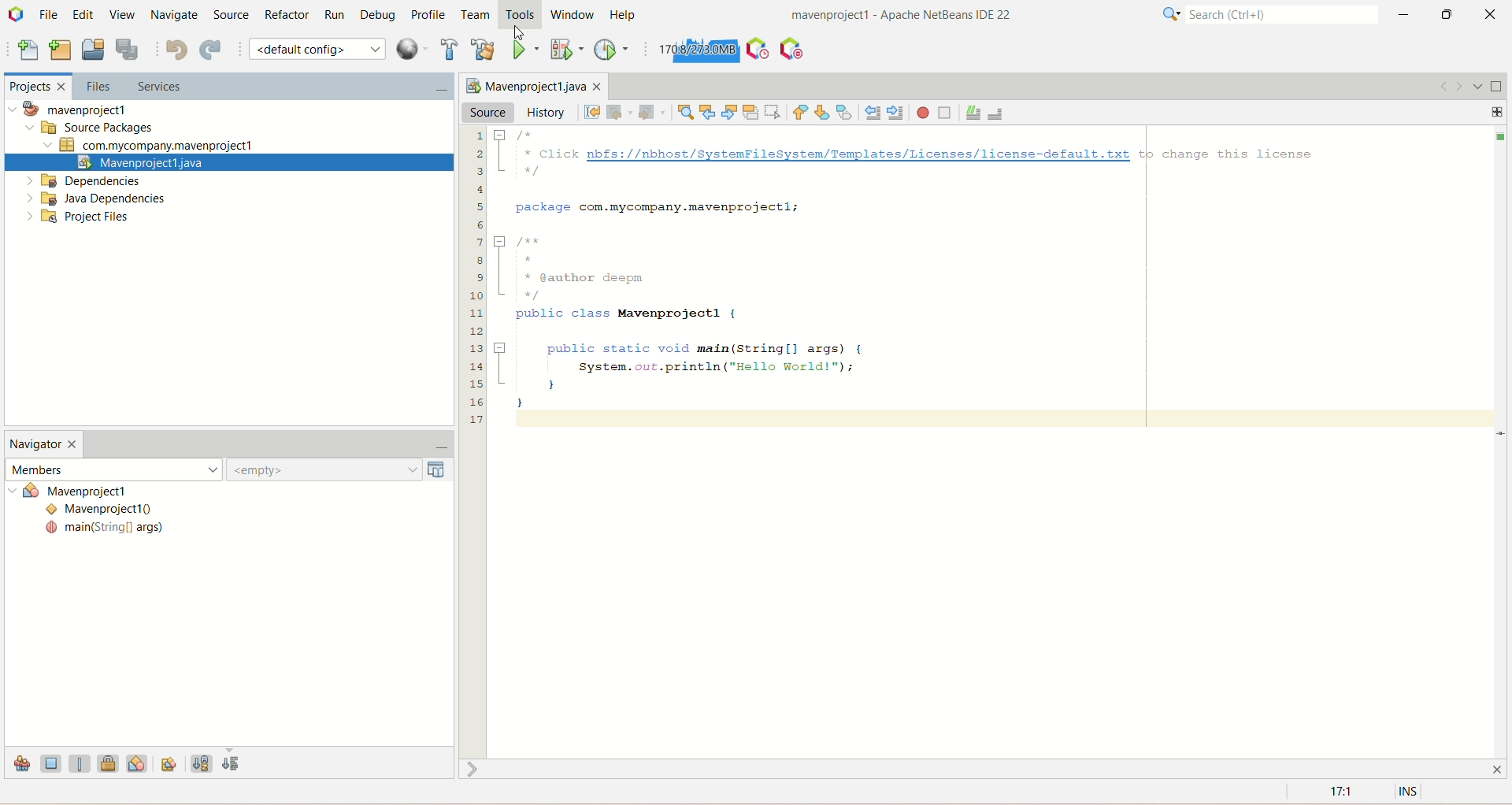  Describe the element at coordinates (317, 48) in the screenshot. I see `default configuration` at that location.